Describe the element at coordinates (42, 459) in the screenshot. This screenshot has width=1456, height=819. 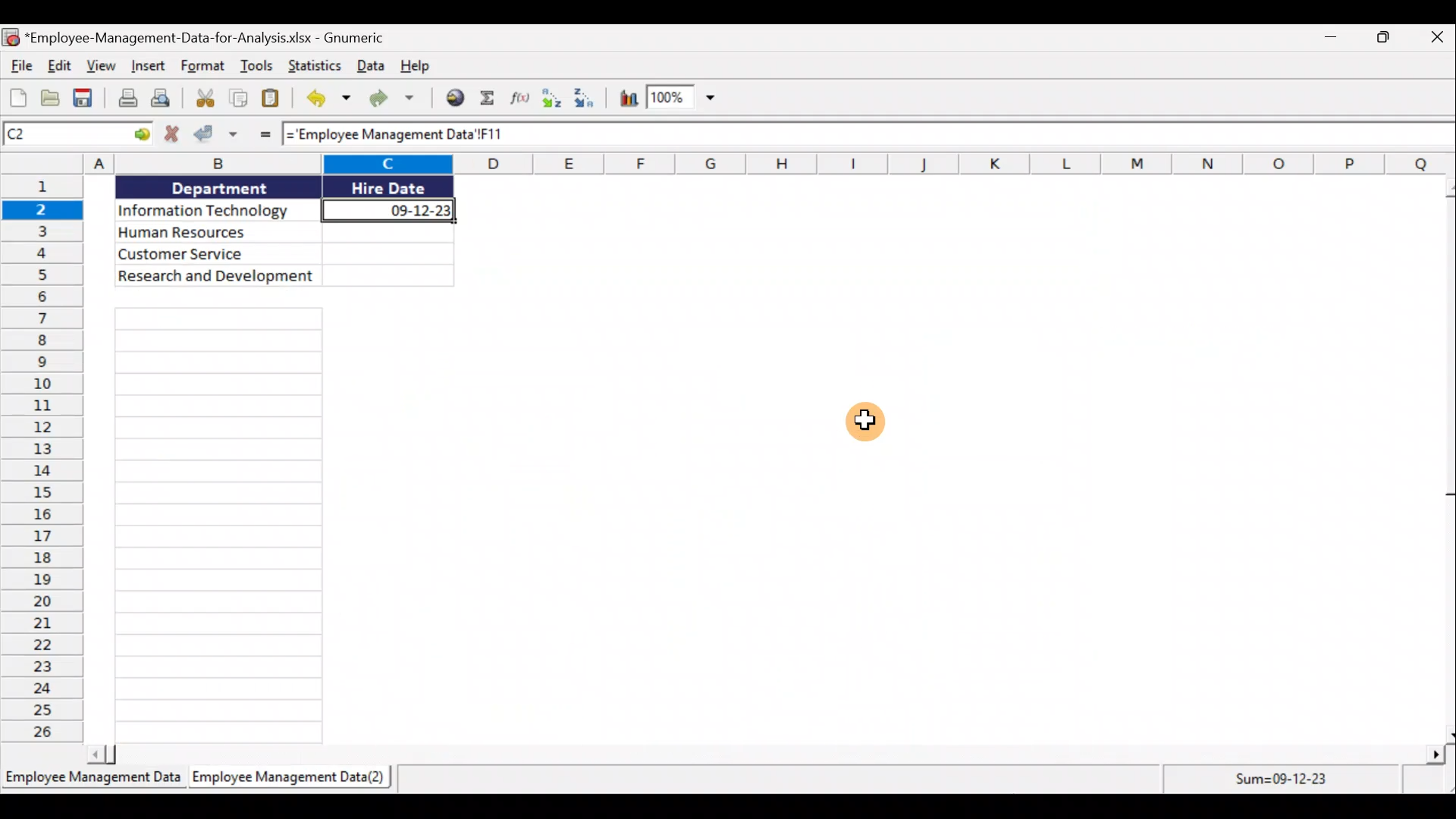
I see `Rows` at that location.